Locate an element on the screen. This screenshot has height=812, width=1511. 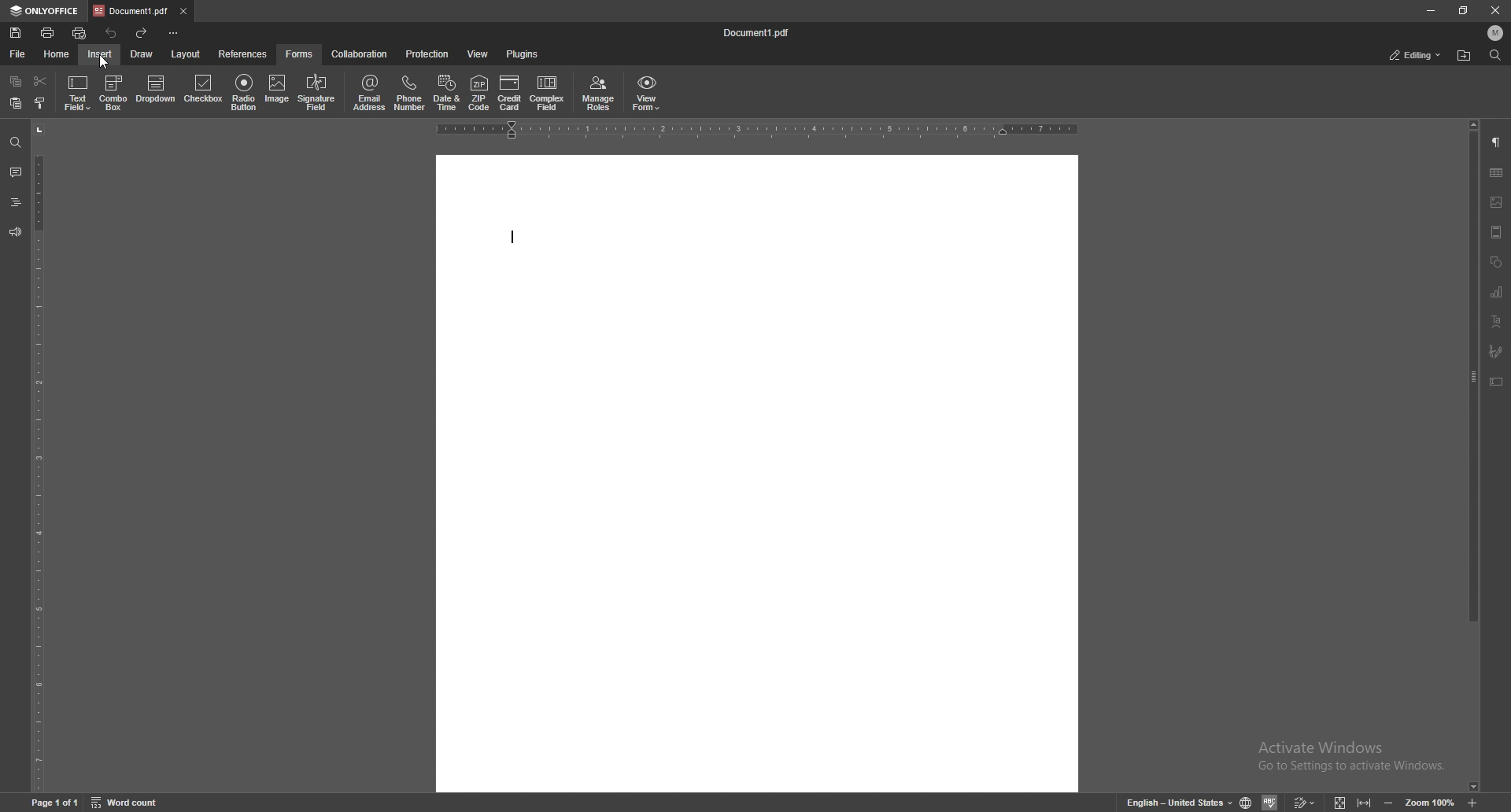
view is located at coordinates (1496, 232).